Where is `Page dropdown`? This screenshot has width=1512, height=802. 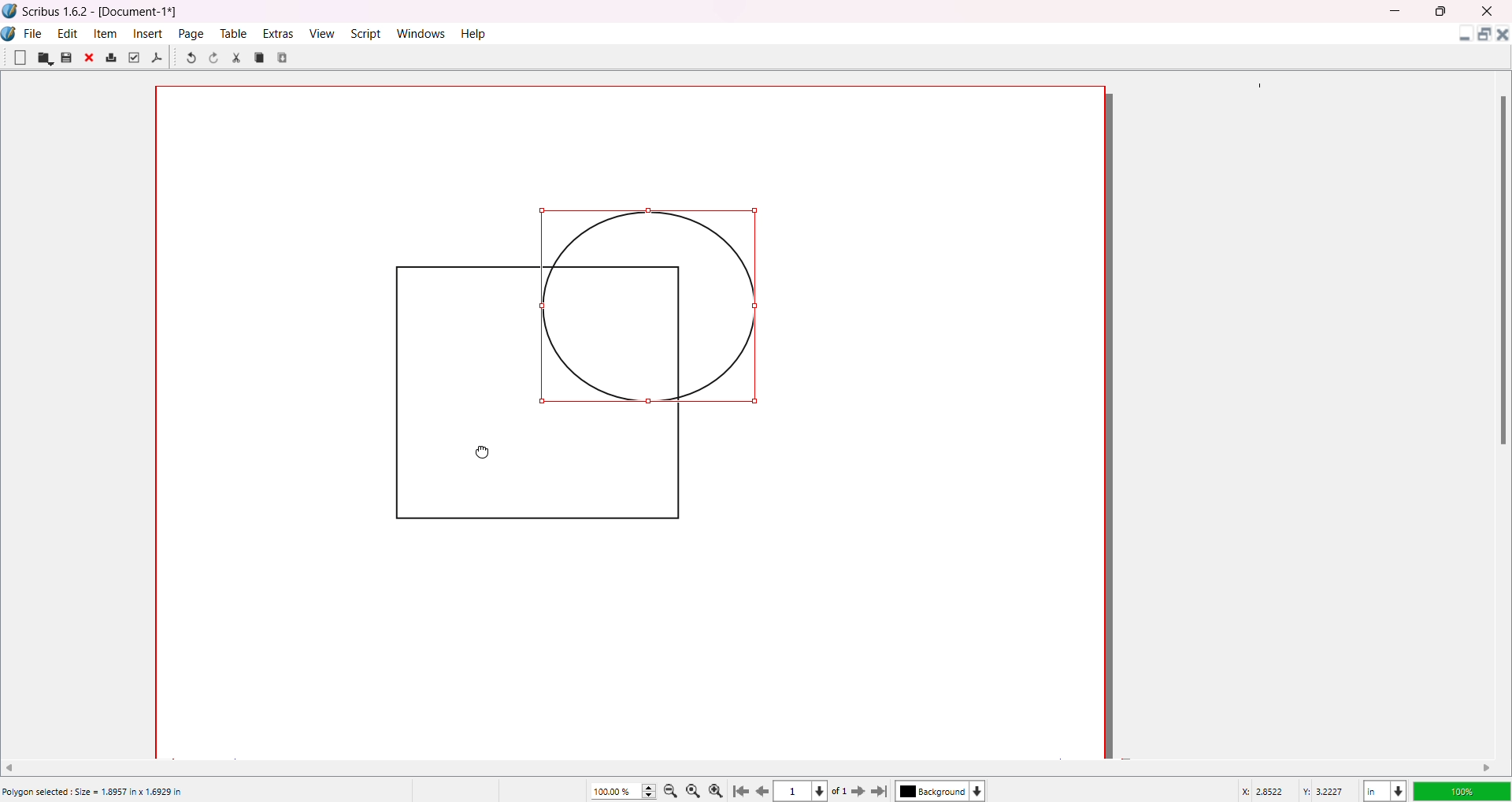
Page dropdown is located at coordinates (826, 790).